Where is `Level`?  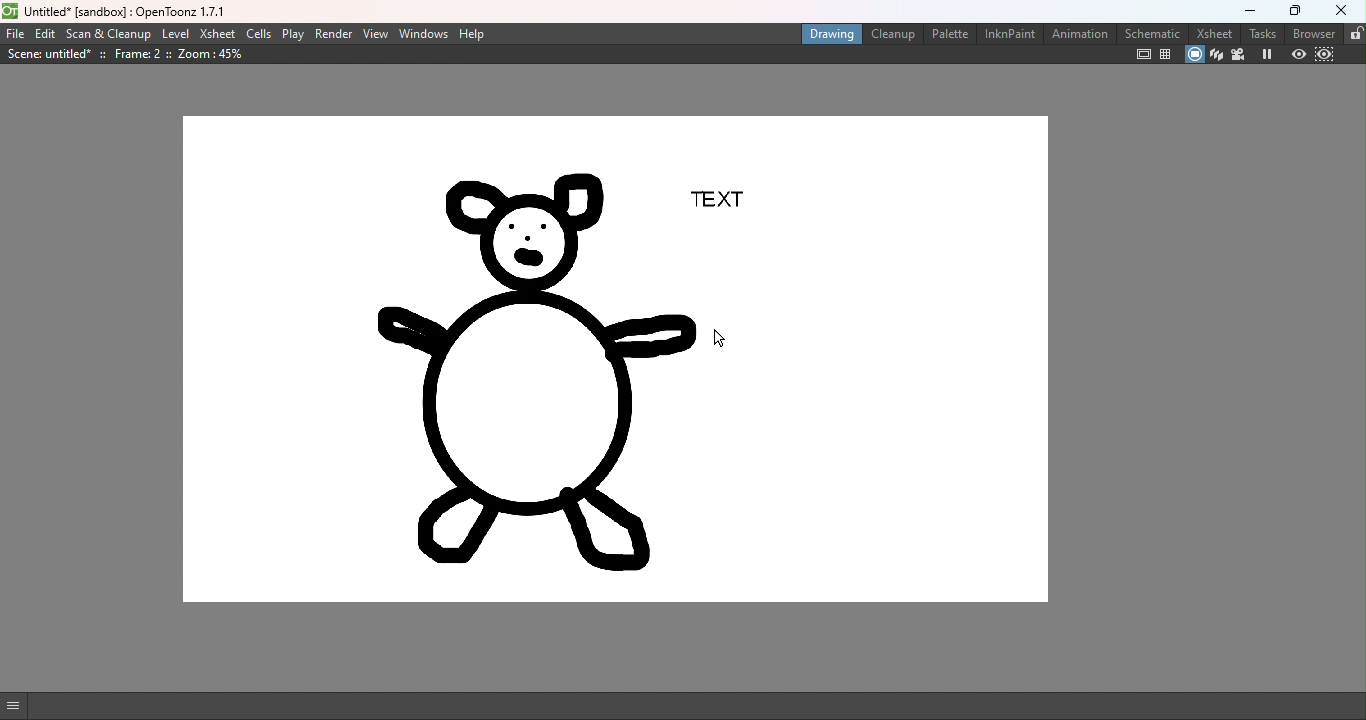 Level is located at coordinates (175, 34).